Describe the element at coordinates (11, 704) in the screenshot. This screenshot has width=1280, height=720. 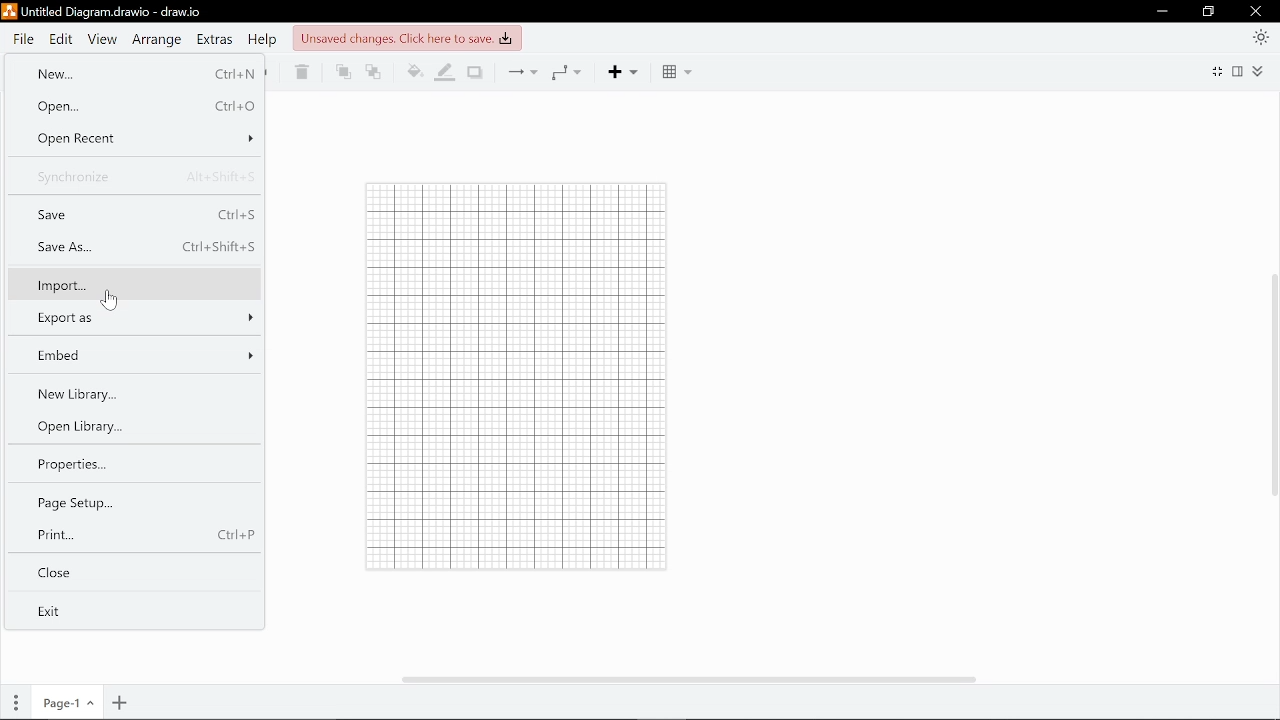
I see `pages` at that location.